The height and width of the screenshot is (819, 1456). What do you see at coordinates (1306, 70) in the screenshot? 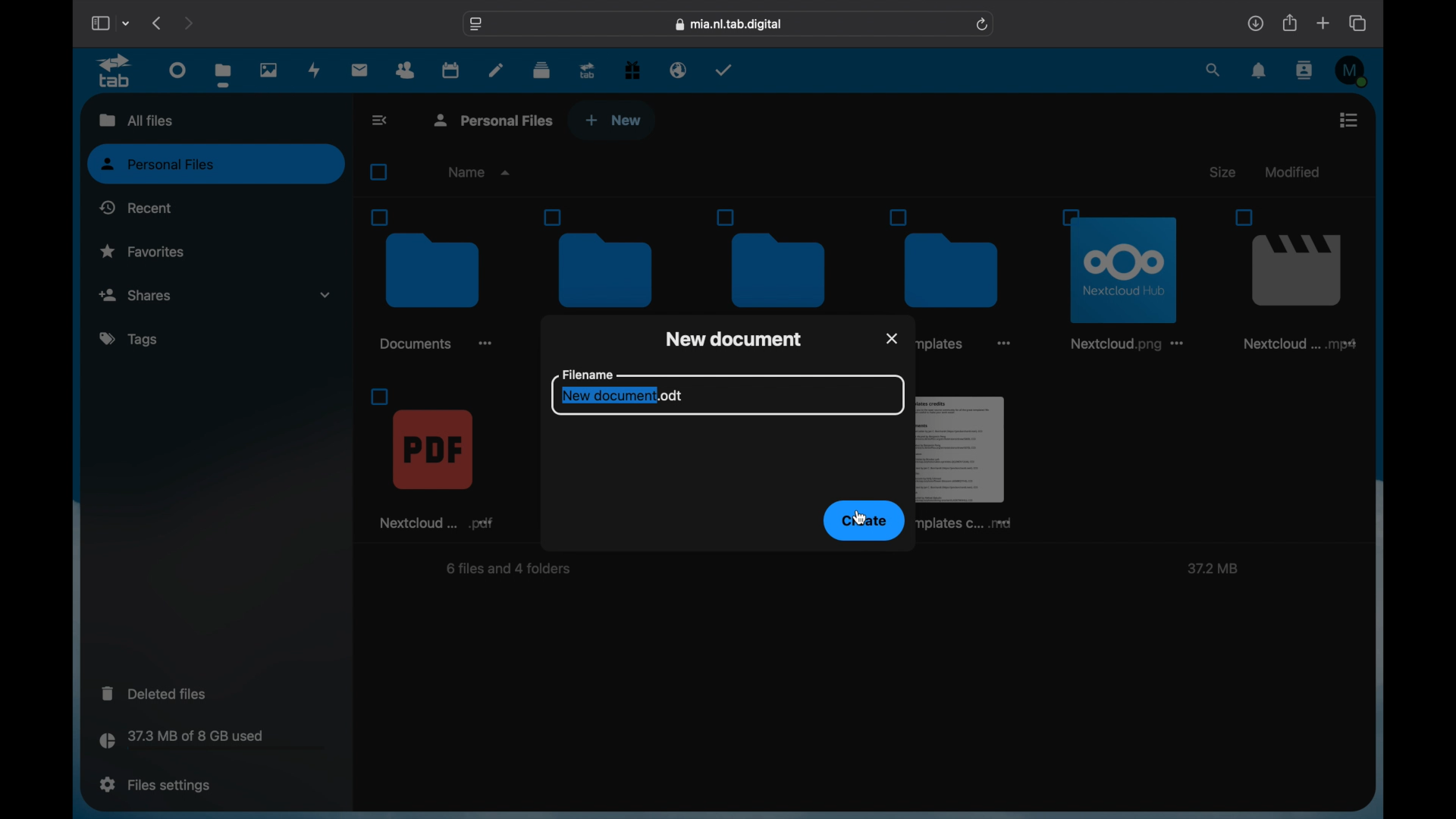
I see `contacts` at bounding box center [1306, 70].